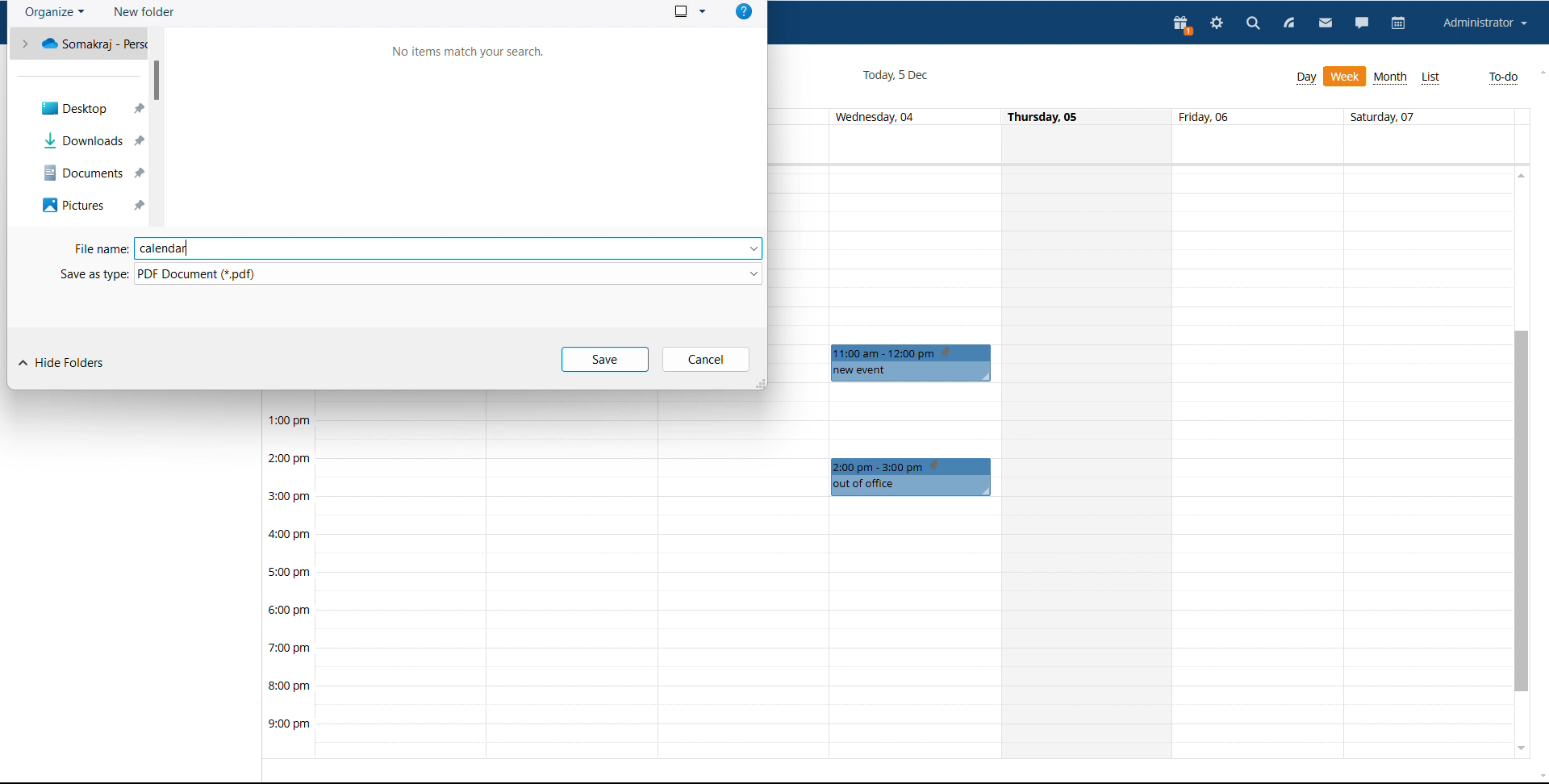 The image size is (1549, 784). I want to click on month view, so click(1392, 77).